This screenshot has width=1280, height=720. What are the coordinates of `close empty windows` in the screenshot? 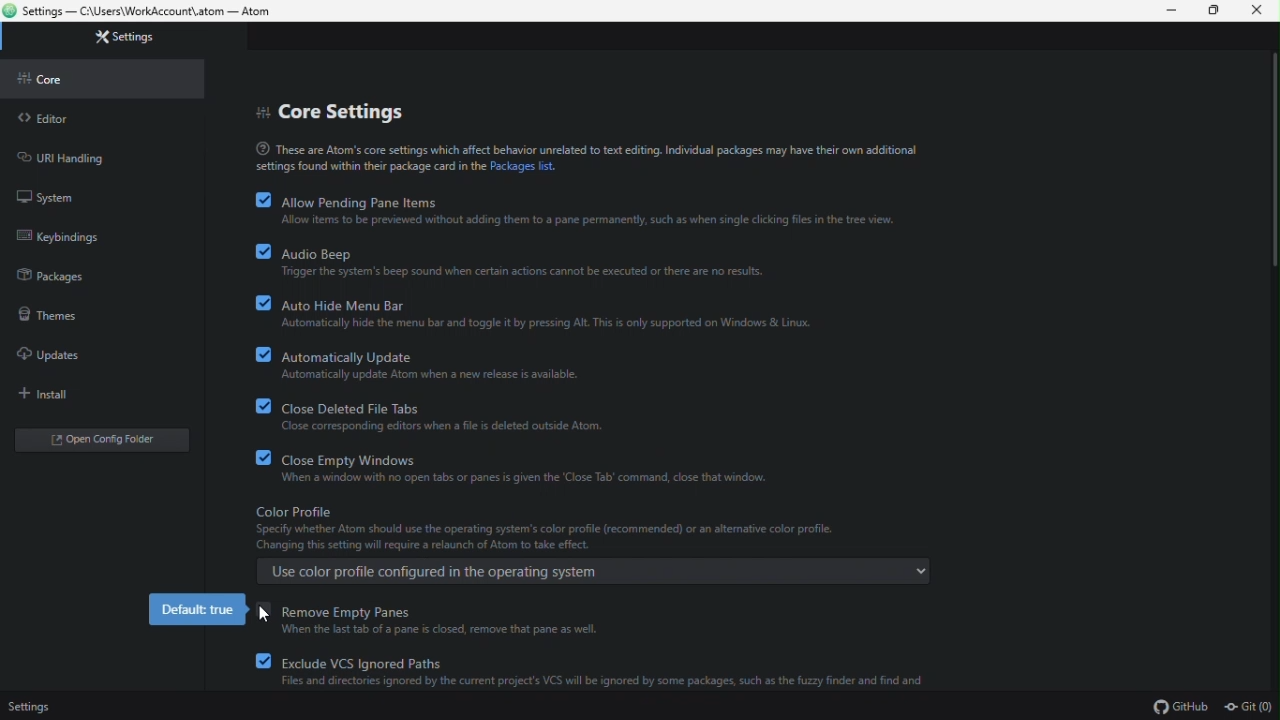 It's located at (537, 466).